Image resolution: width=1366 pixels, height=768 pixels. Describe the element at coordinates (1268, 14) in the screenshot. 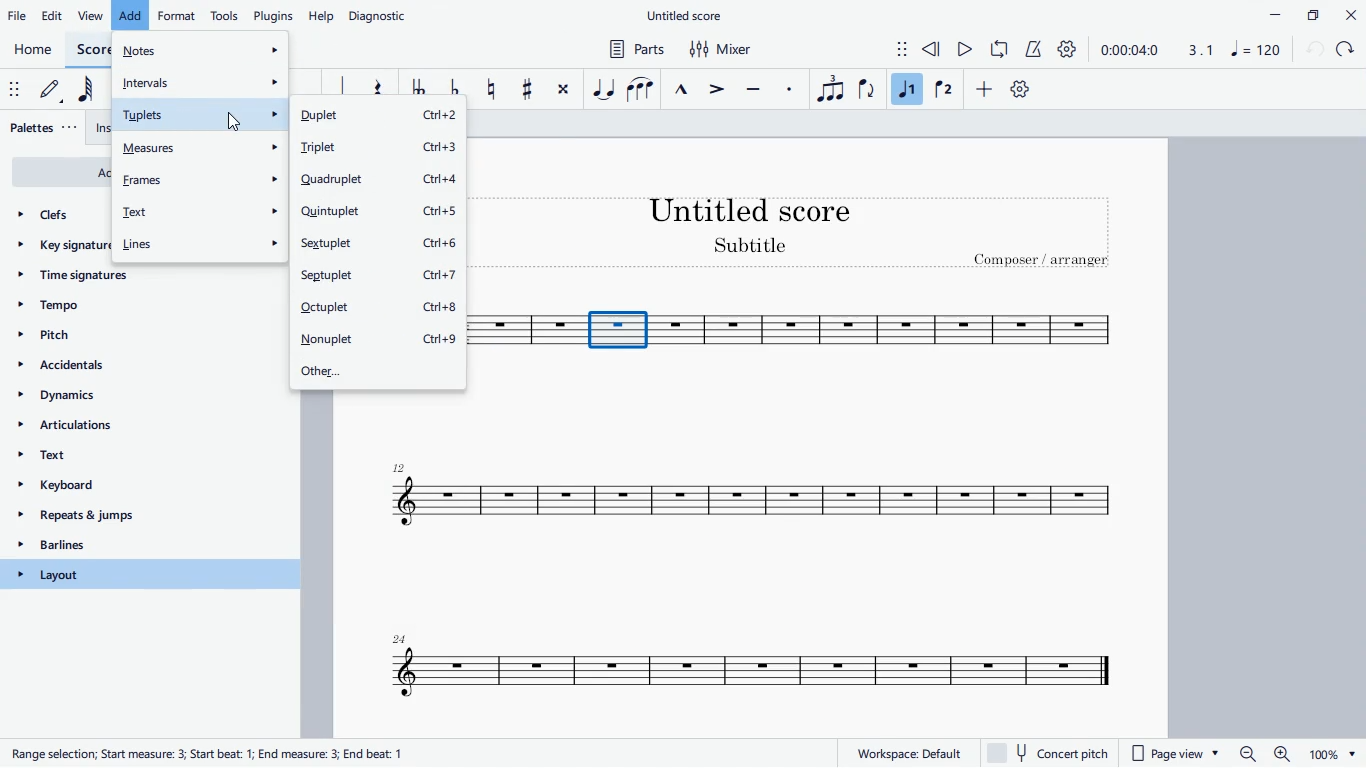

I see `minimize` at that location.